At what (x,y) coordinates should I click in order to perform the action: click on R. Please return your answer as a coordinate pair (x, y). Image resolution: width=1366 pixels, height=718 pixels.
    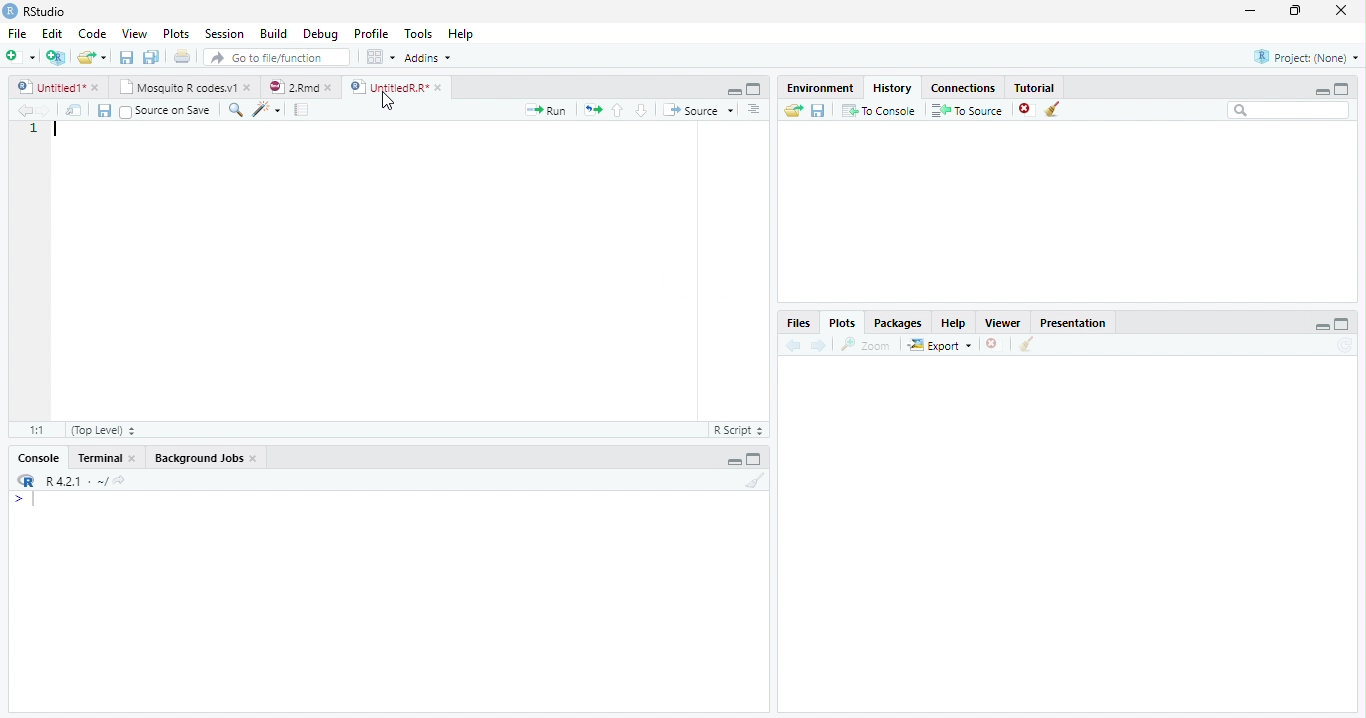
    Looking at the image, I should click on (25, 481).